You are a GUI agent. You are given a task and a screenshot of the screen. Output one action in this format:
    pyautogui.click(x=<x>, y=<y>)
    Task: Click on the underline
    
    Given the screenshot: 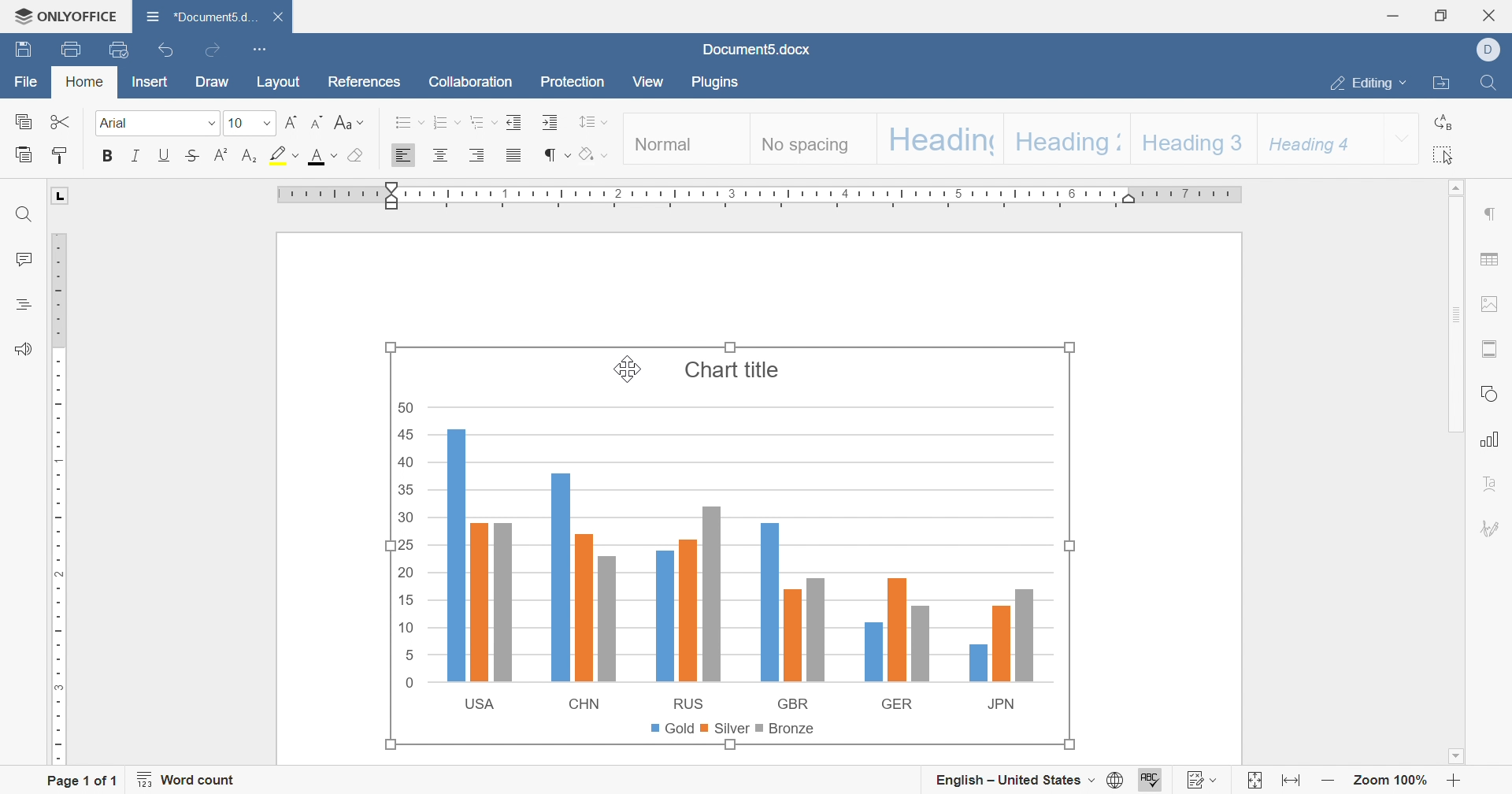 What is the action you would take?
    pyautogui.click(x=164, y=155)
    